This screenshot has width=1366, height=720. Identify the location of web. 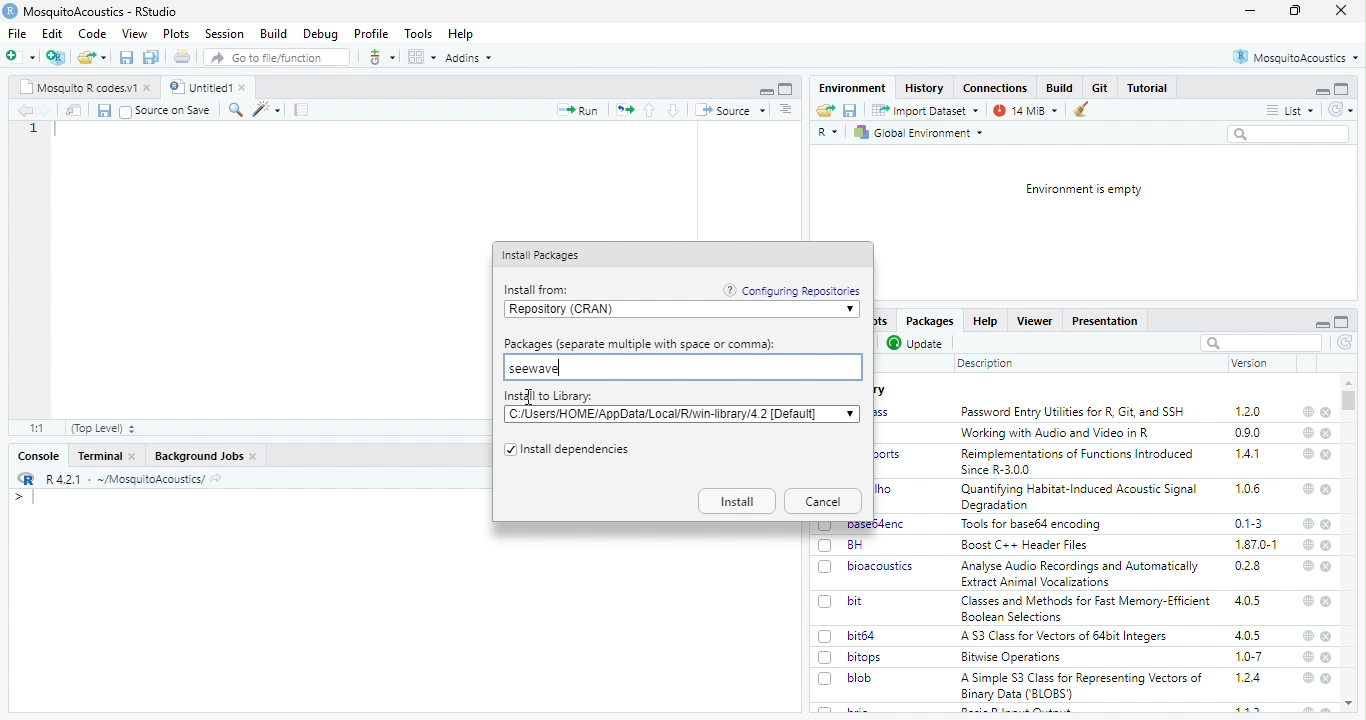
(1310, 433).